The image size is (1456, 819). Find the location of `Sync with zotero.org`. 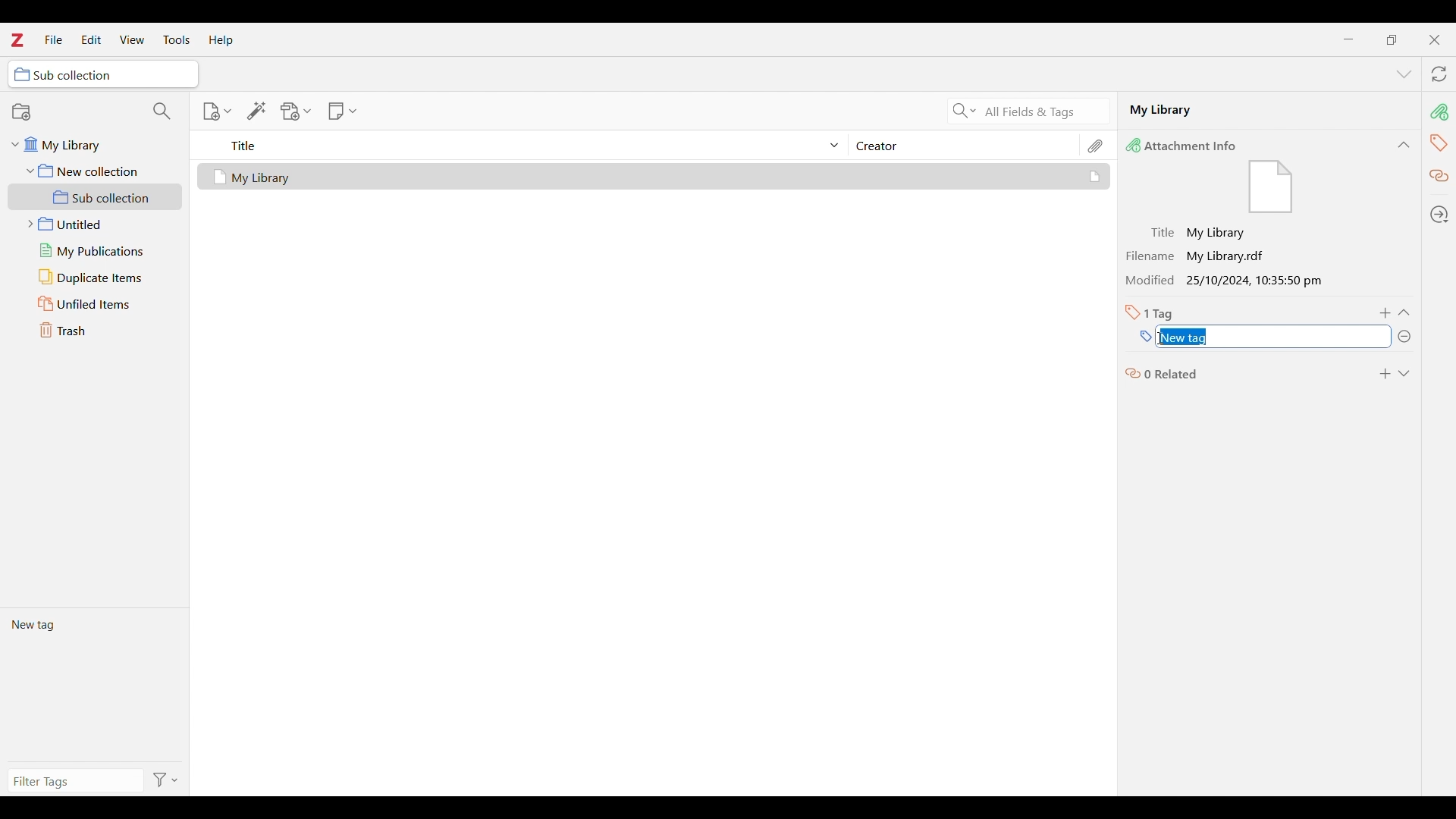

Sync with zotero.org is located at coordinates (1439, 74).